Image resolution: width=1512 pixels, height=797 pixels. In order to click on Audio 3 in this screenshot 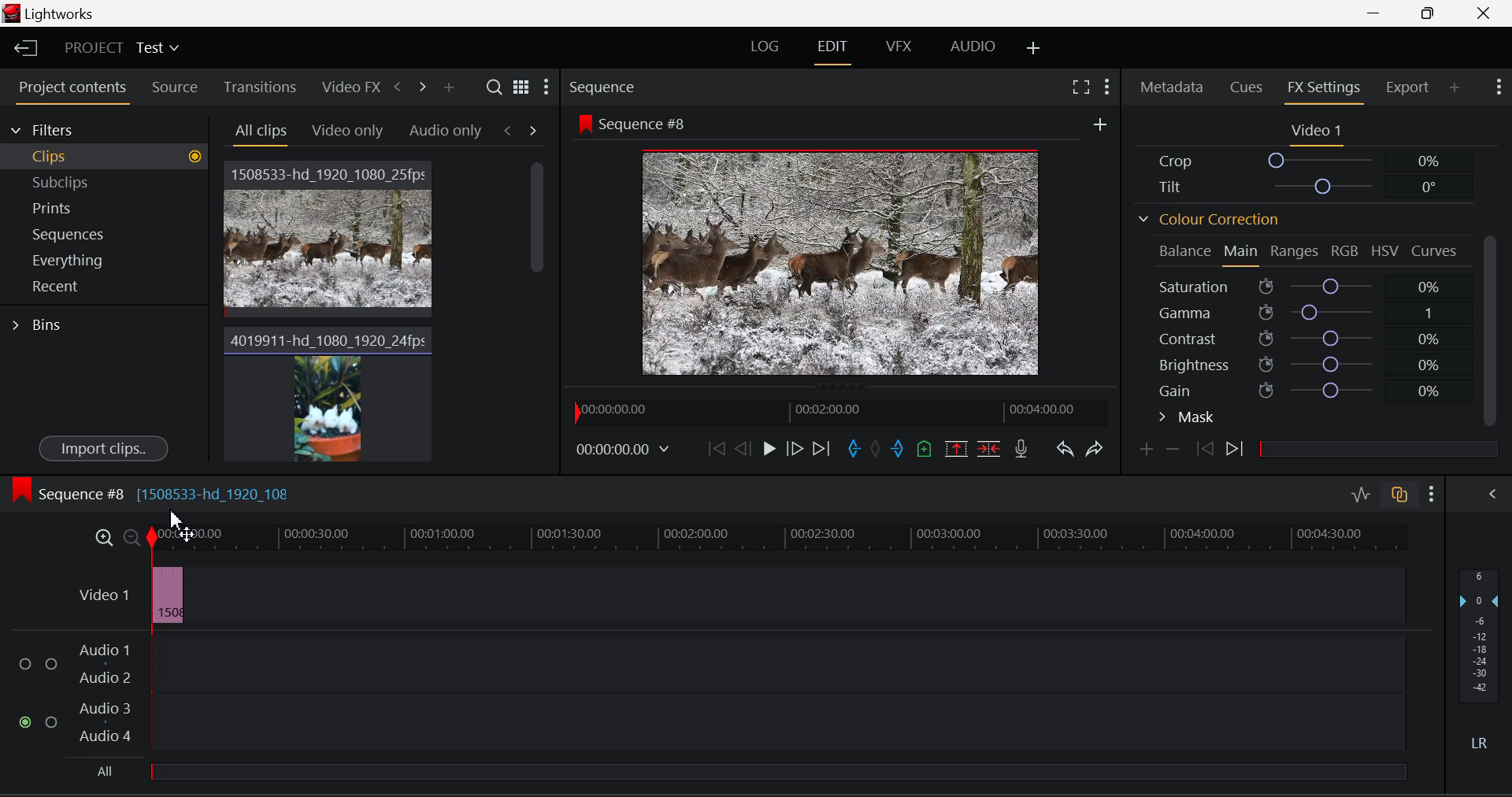, I will do `click(106, 710)`.